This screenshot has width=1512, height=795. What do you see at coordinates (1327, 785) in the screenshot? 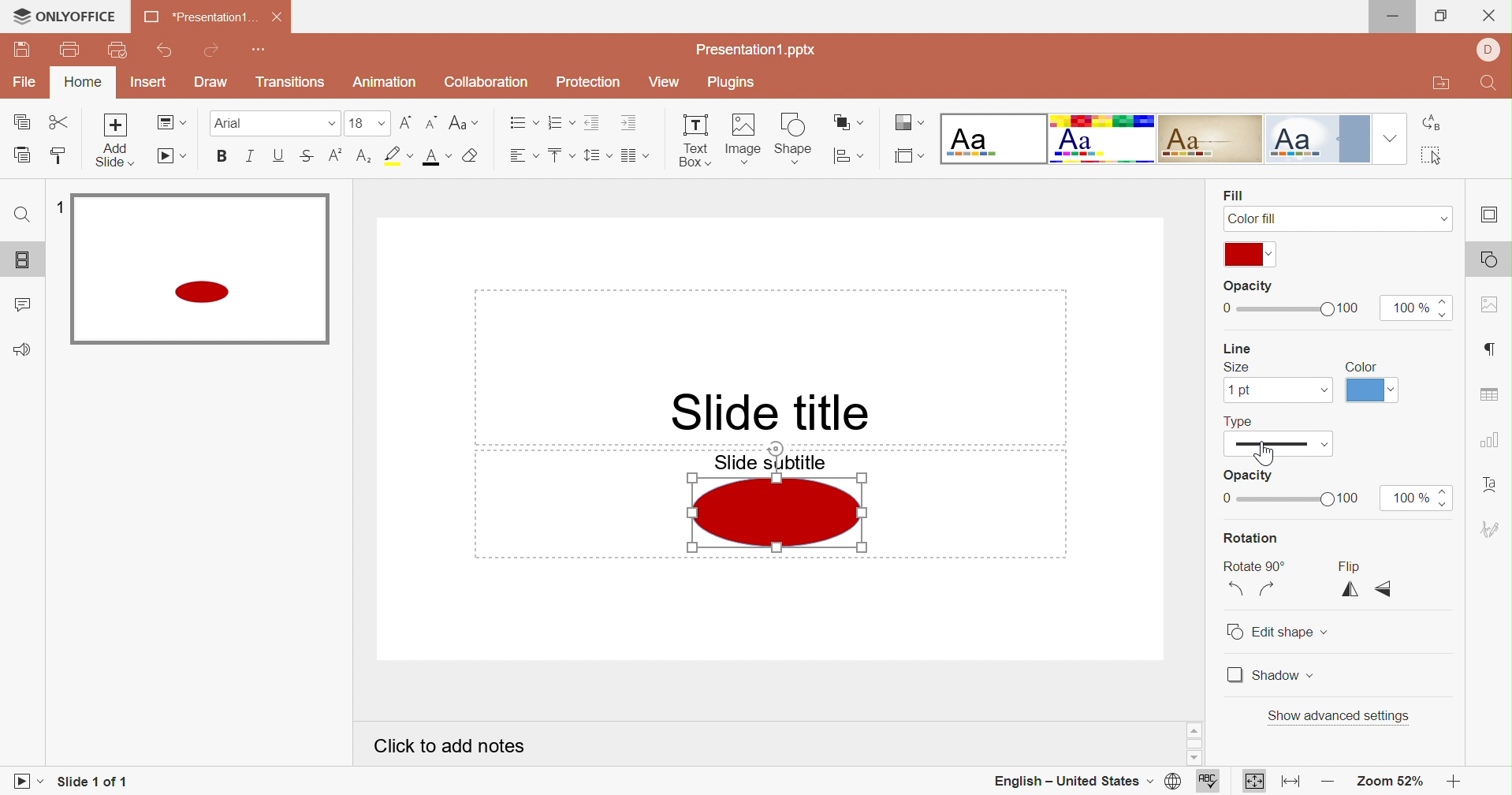
I see `Zoom out` at bounding box center [1327, 785].